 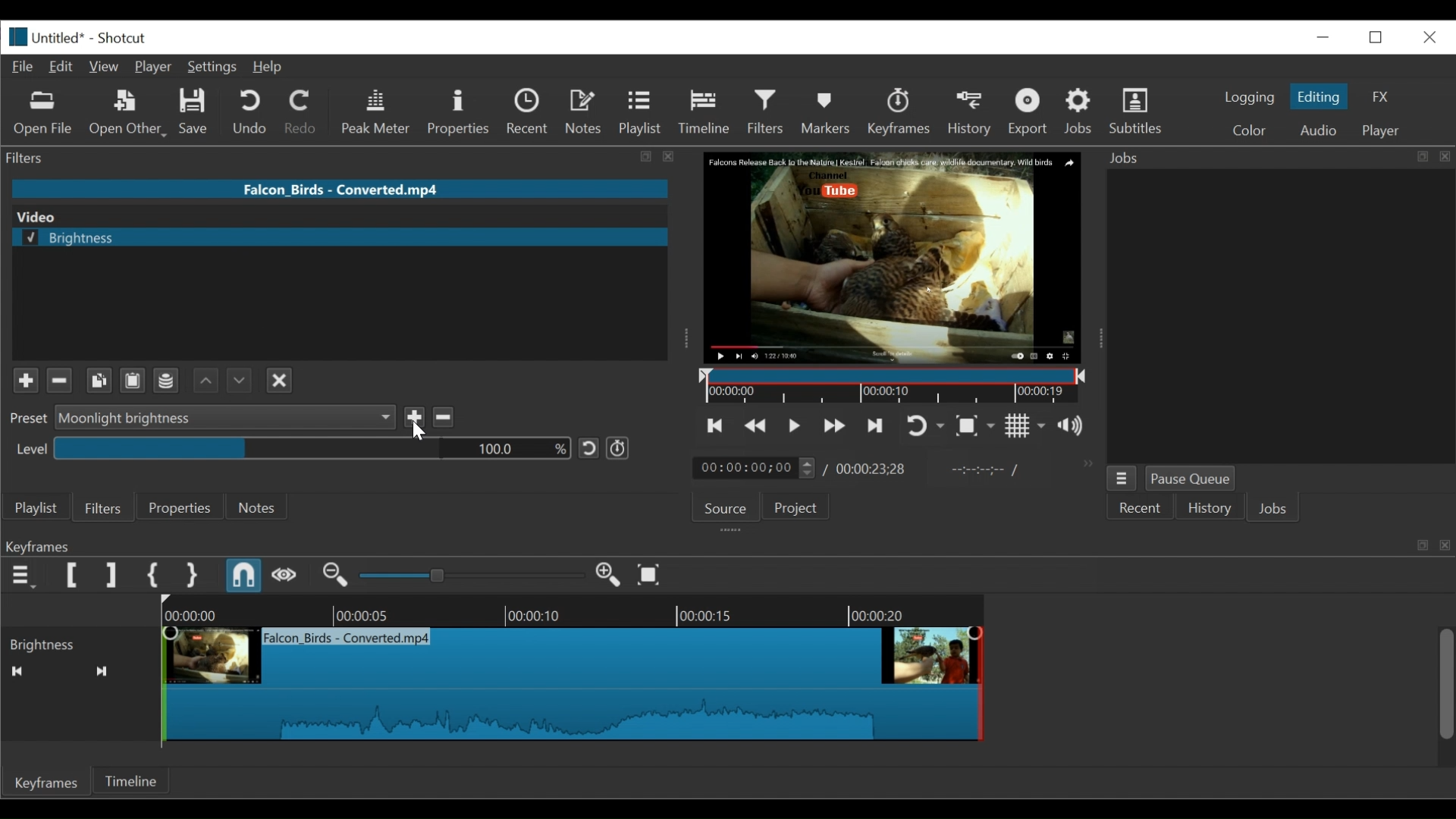 I want to click on Copy, so click(x=97, y=381).